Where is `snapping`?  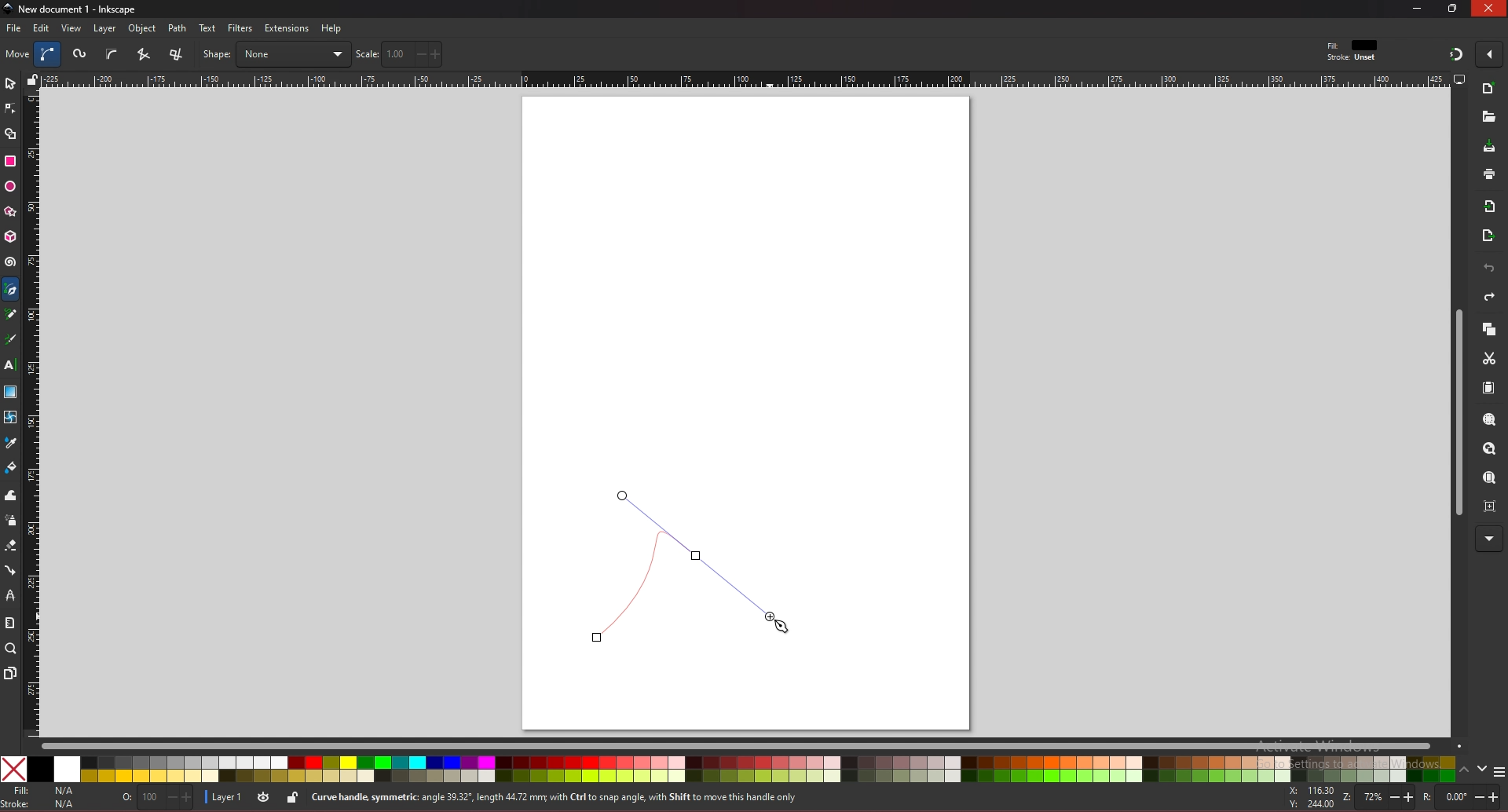
snapping is located at coordinates (1456, 53).